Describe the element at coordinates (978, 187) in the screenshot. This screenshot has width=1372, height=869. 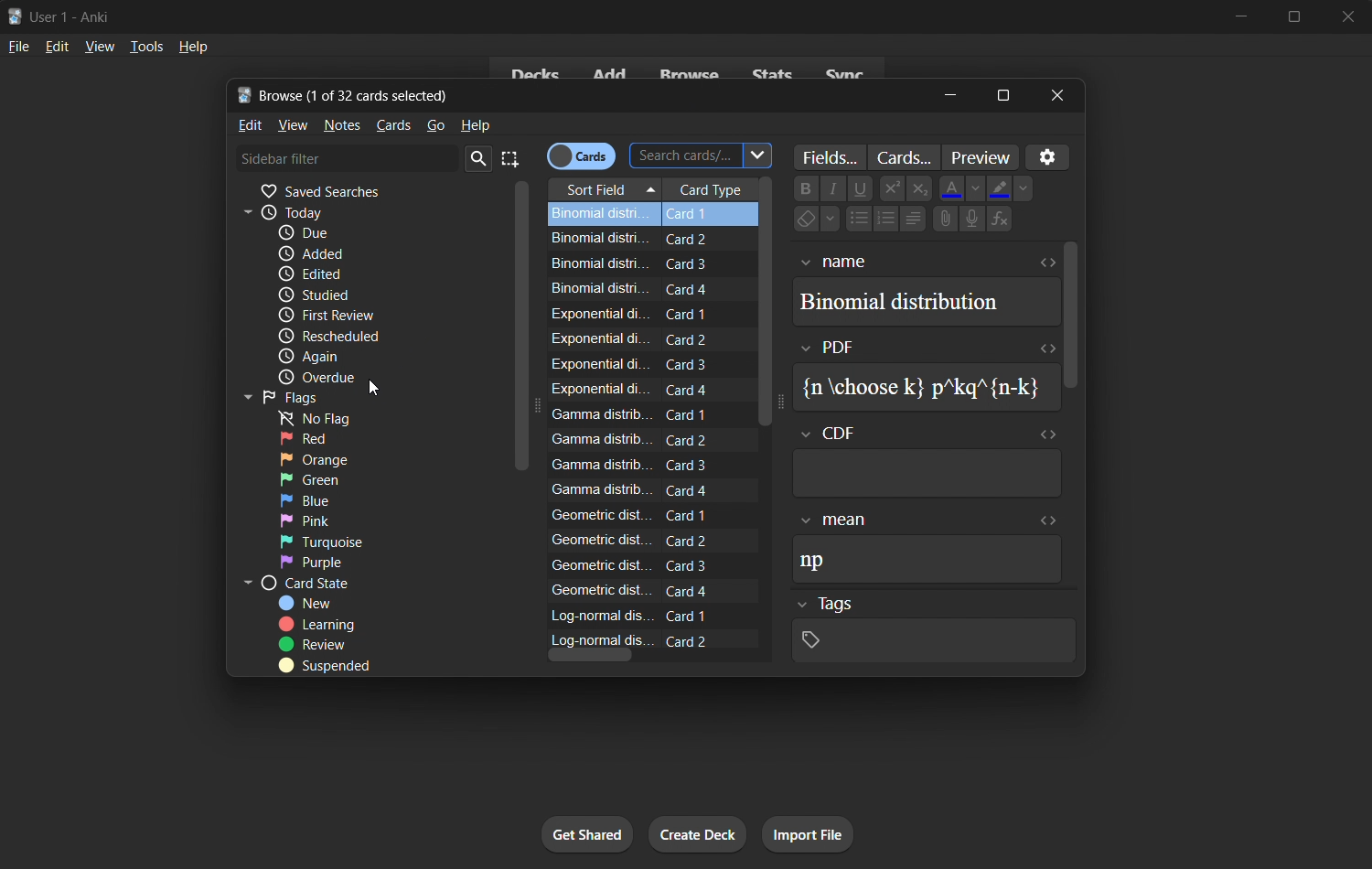
I see `` at that location.